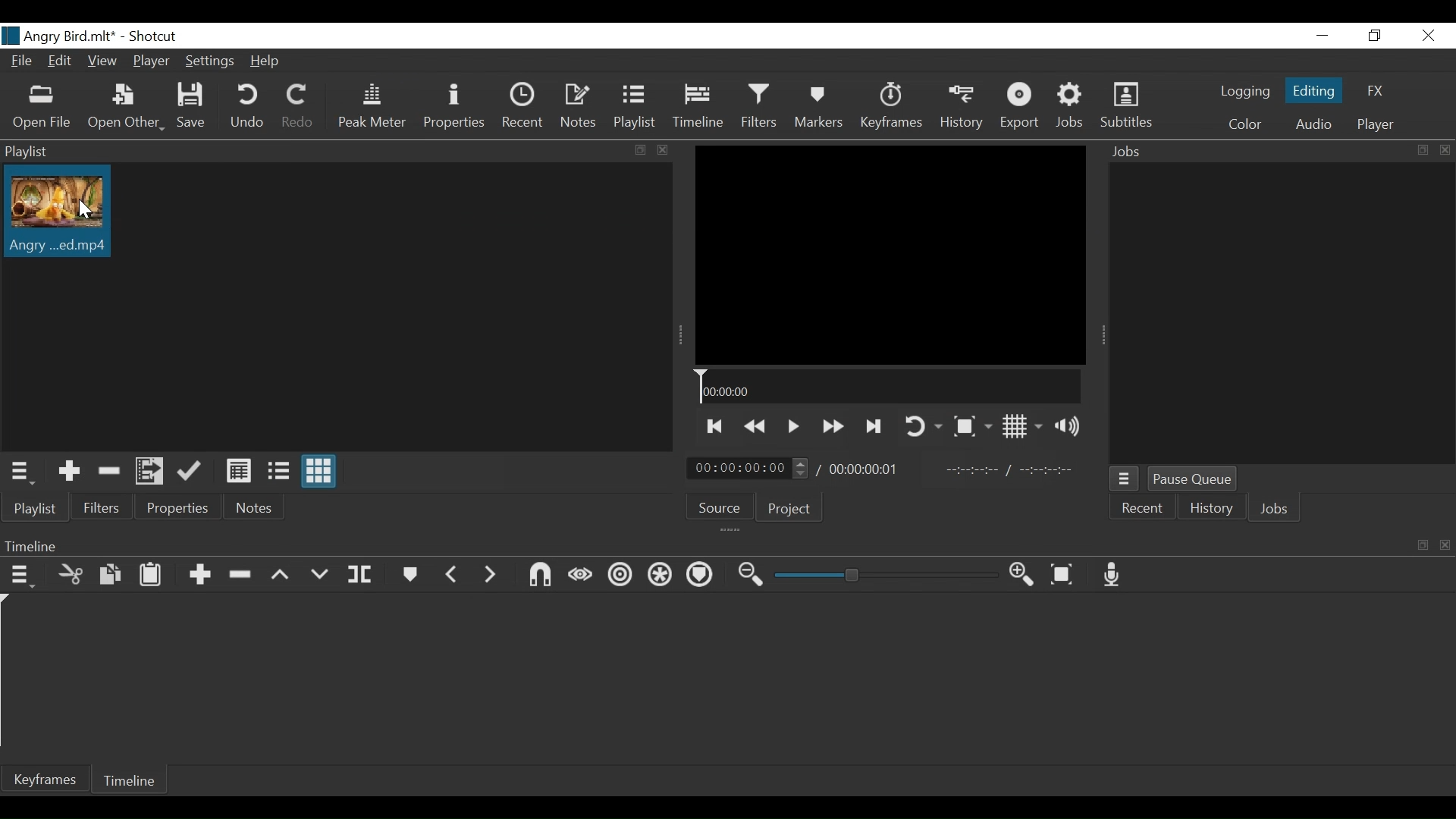 The width and height of the screenshot is (1456, 819). I want to click on Filters, so click(102, 505).